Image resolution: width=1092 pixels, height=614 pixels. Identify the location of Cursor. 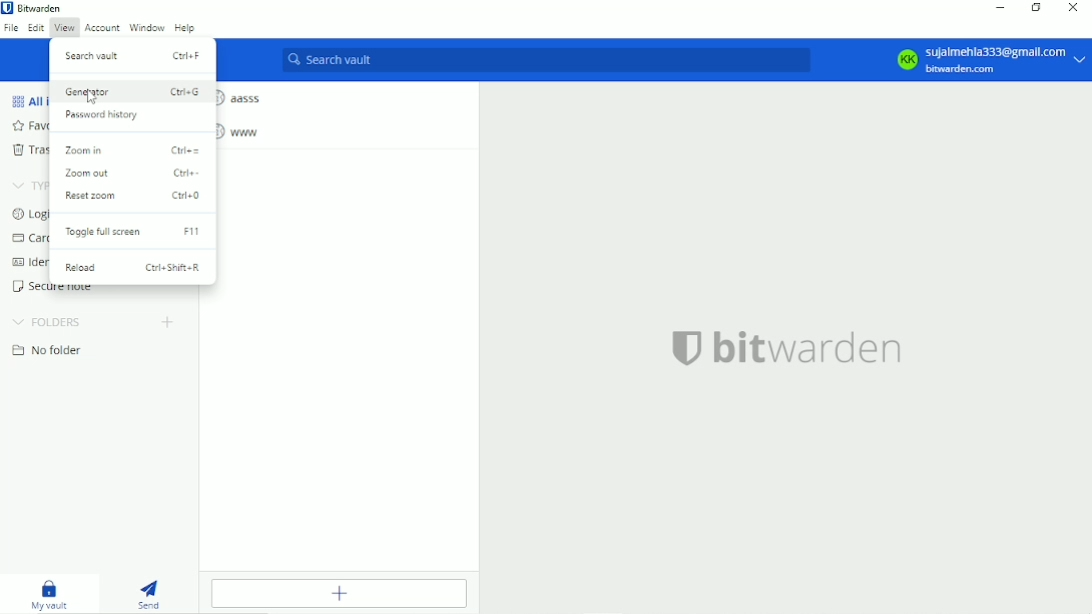
(91, 98).